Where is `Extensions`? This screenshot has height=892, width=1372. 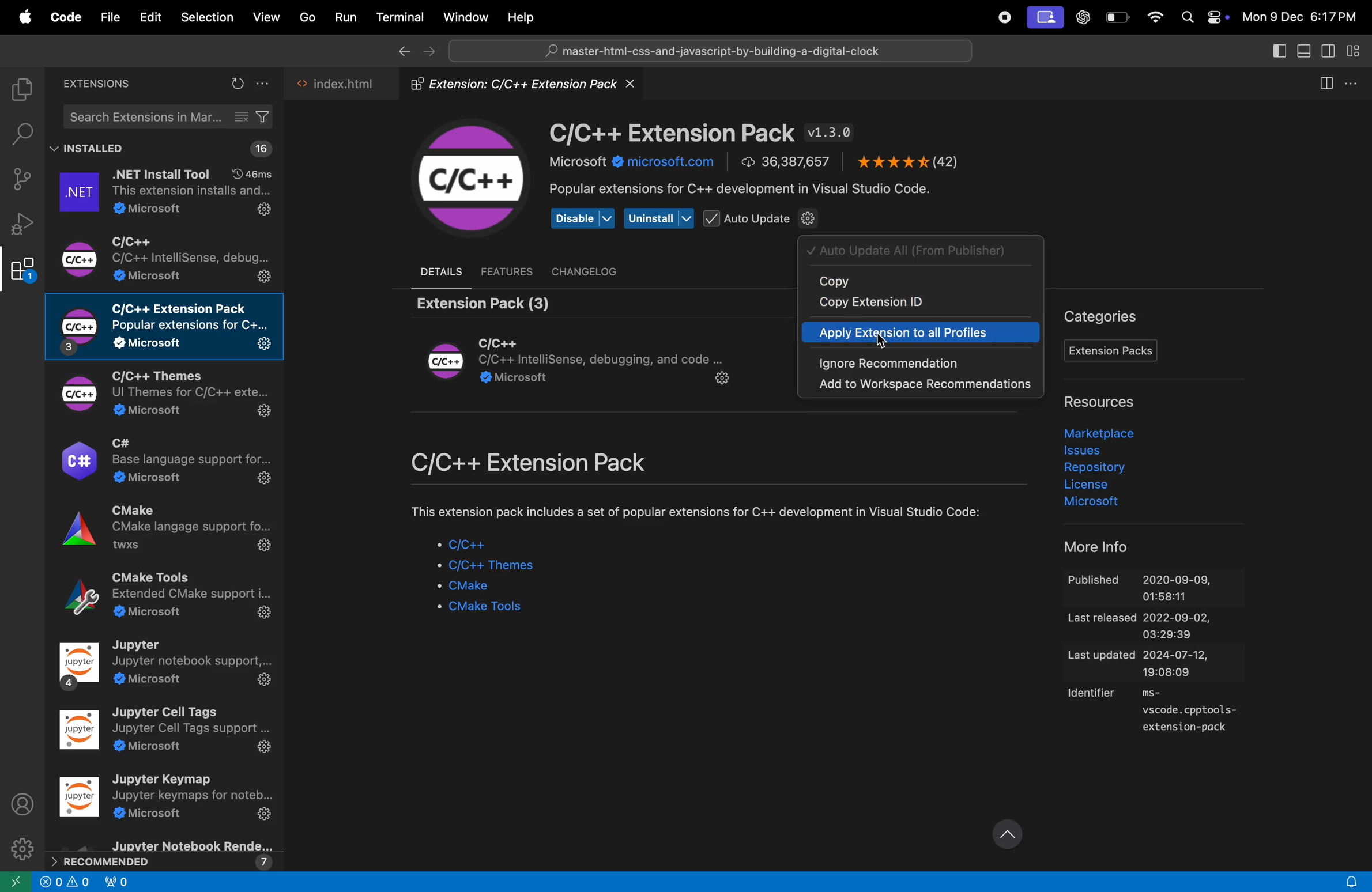
Extensions is located at coordinates (22, 270).